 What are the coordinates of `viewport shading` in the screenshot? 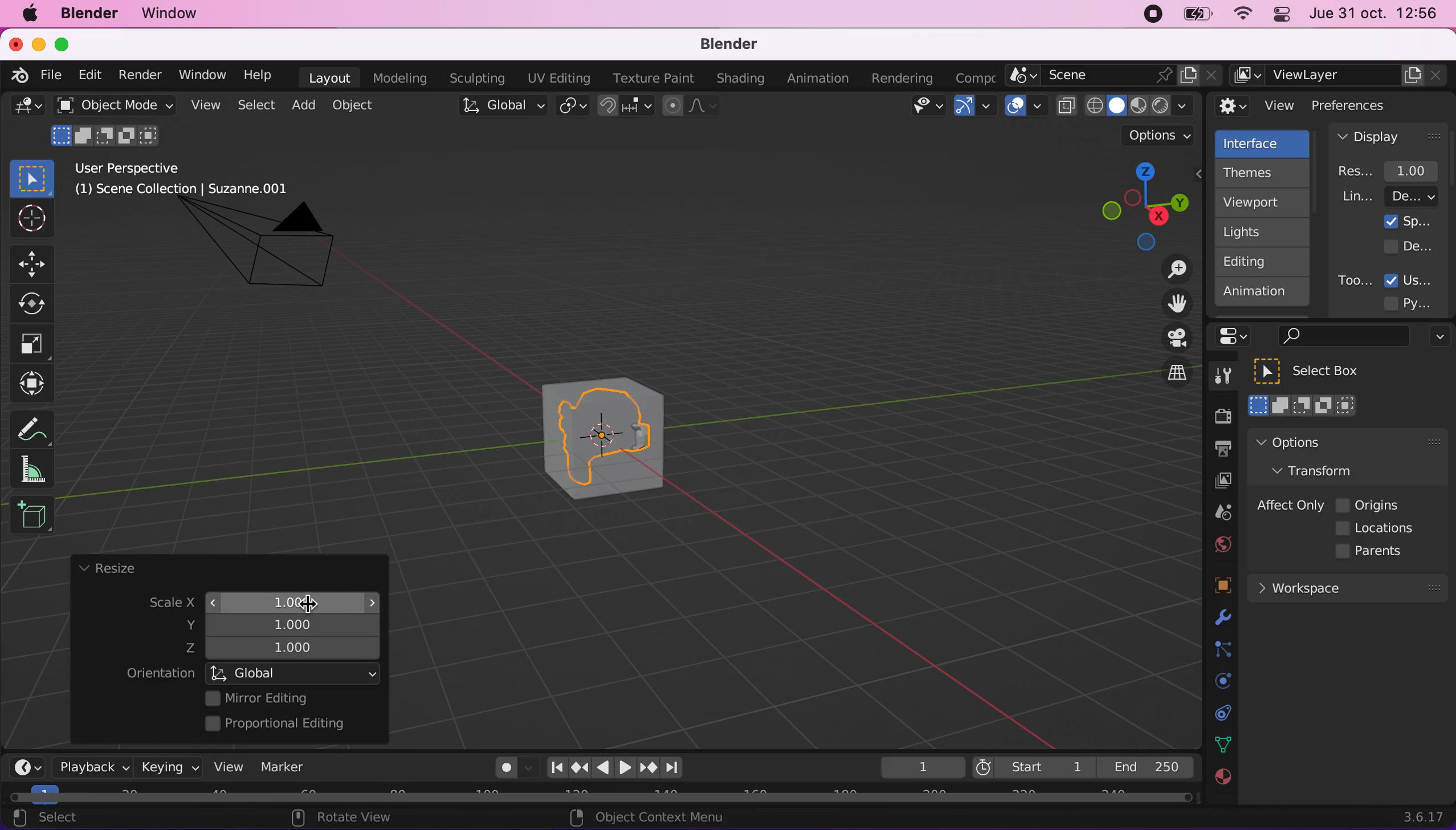 It's located at (1128, 105).